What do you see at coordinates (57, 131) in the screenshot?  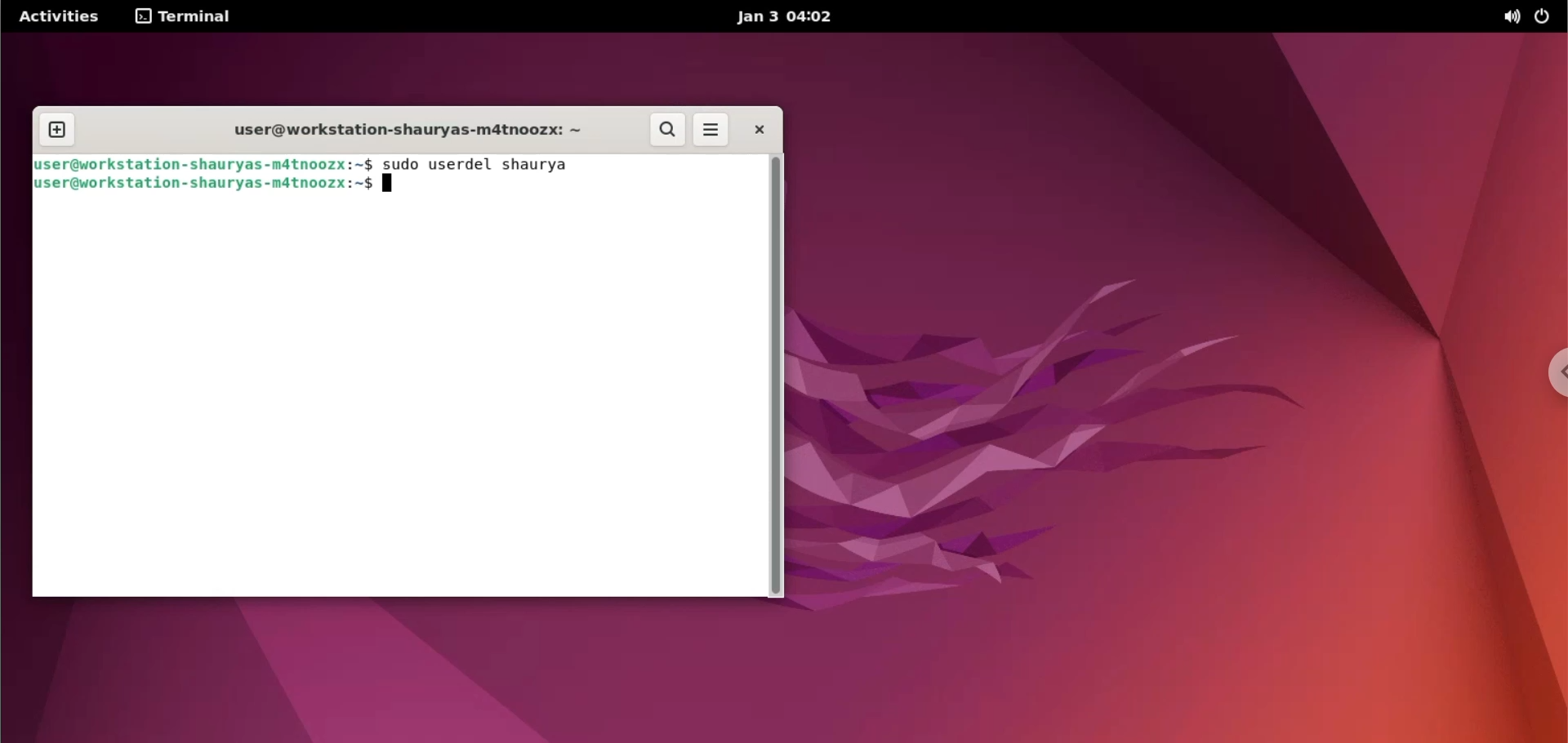 I see `new tab` at bounding box center [57, 131].